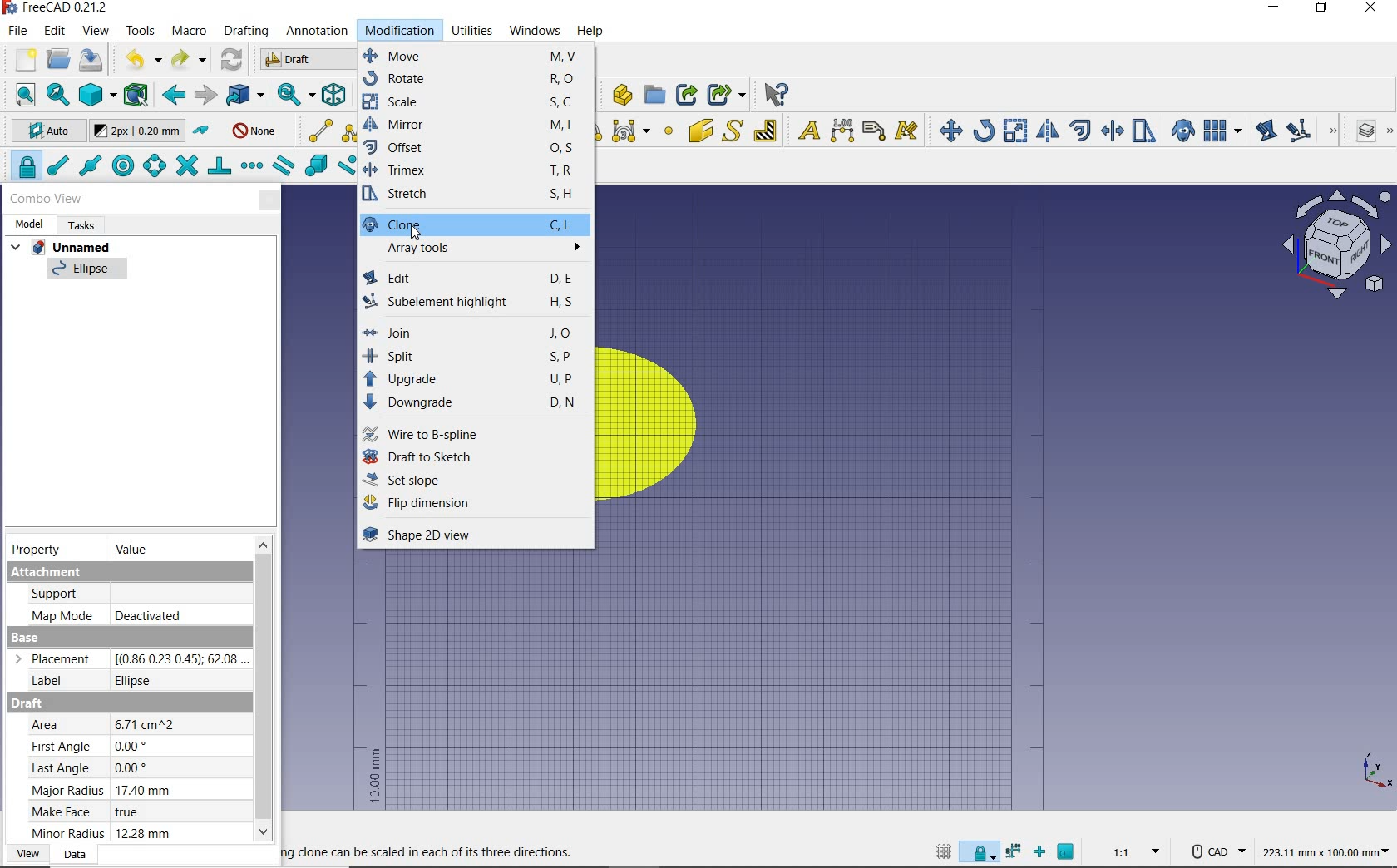 The height and width of the screenshot is (868, 1397). I want to click on scale, so click(477, 102).